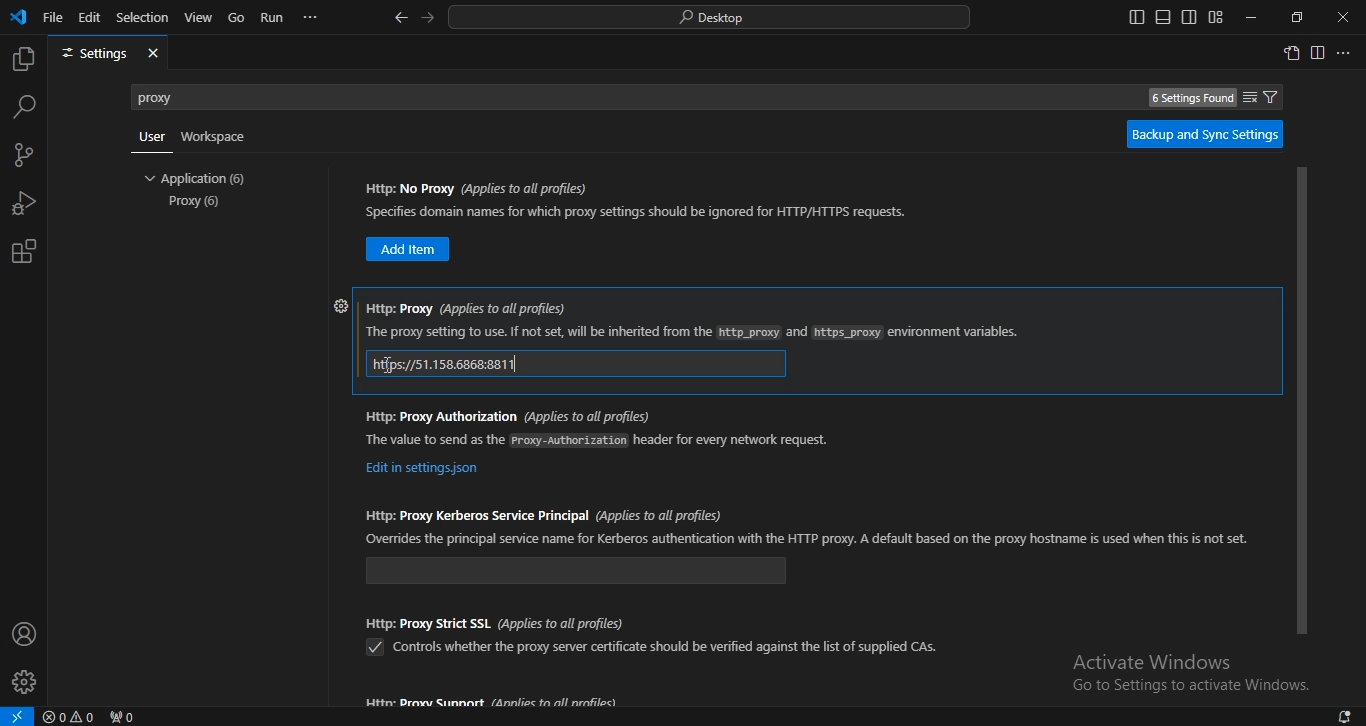  Describe the element at coordinates (447, 364) in the screenshot. I see `text` at that location.